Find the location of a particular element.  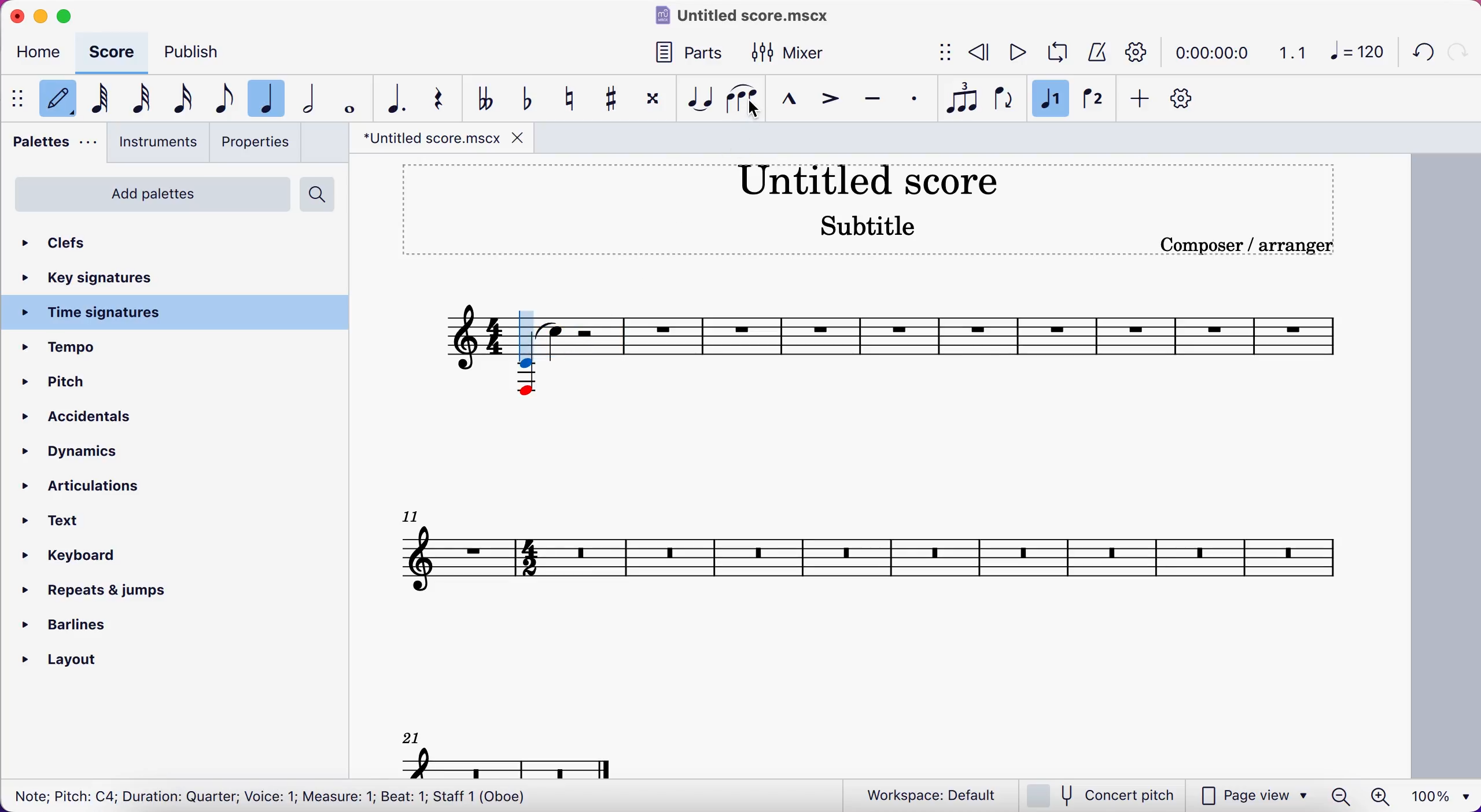

playback settings is located at coordinates (1137, 51).